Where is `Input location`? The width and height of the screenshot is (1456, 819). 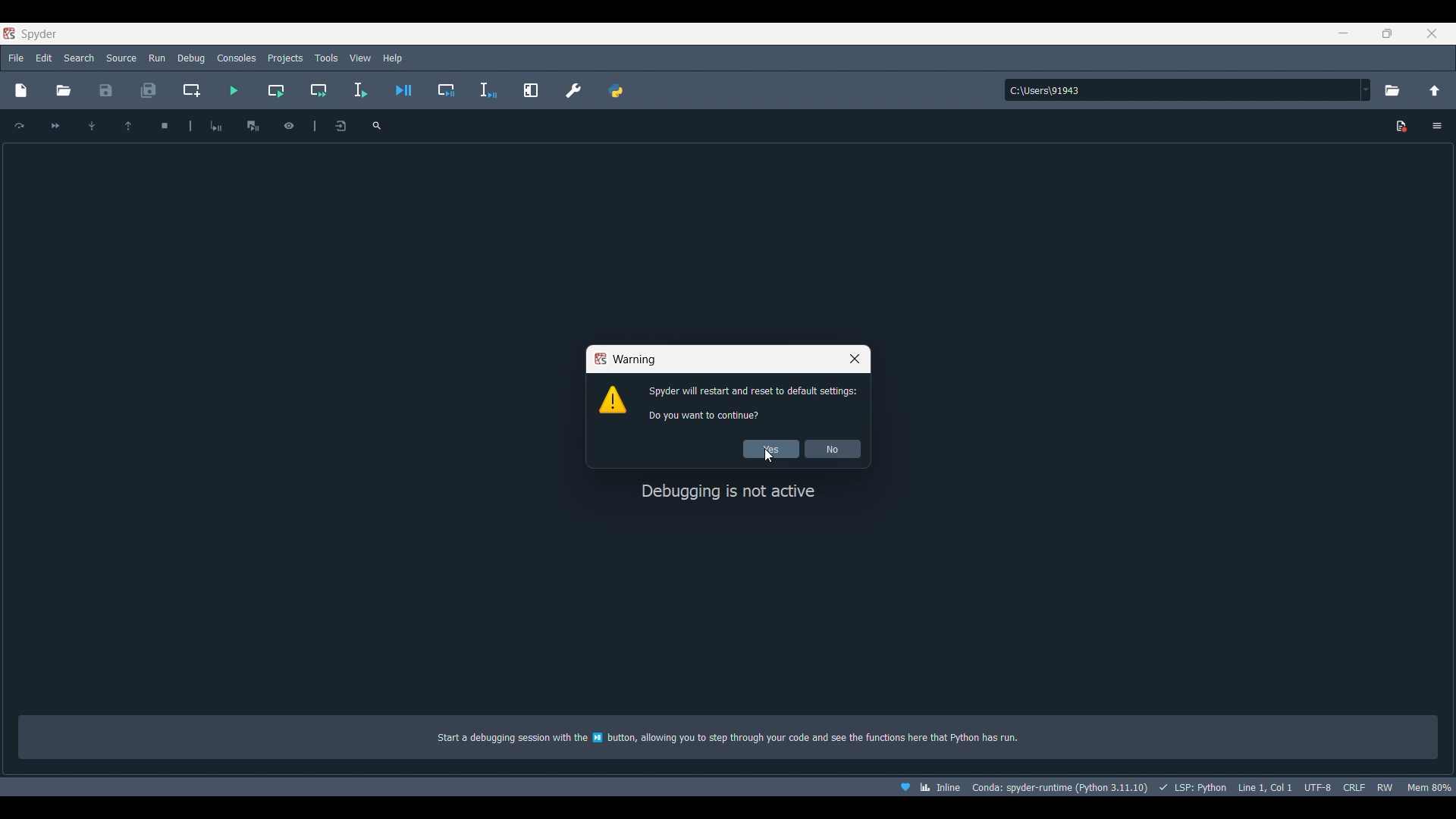 Input location is located at coordinates (1182, 90).